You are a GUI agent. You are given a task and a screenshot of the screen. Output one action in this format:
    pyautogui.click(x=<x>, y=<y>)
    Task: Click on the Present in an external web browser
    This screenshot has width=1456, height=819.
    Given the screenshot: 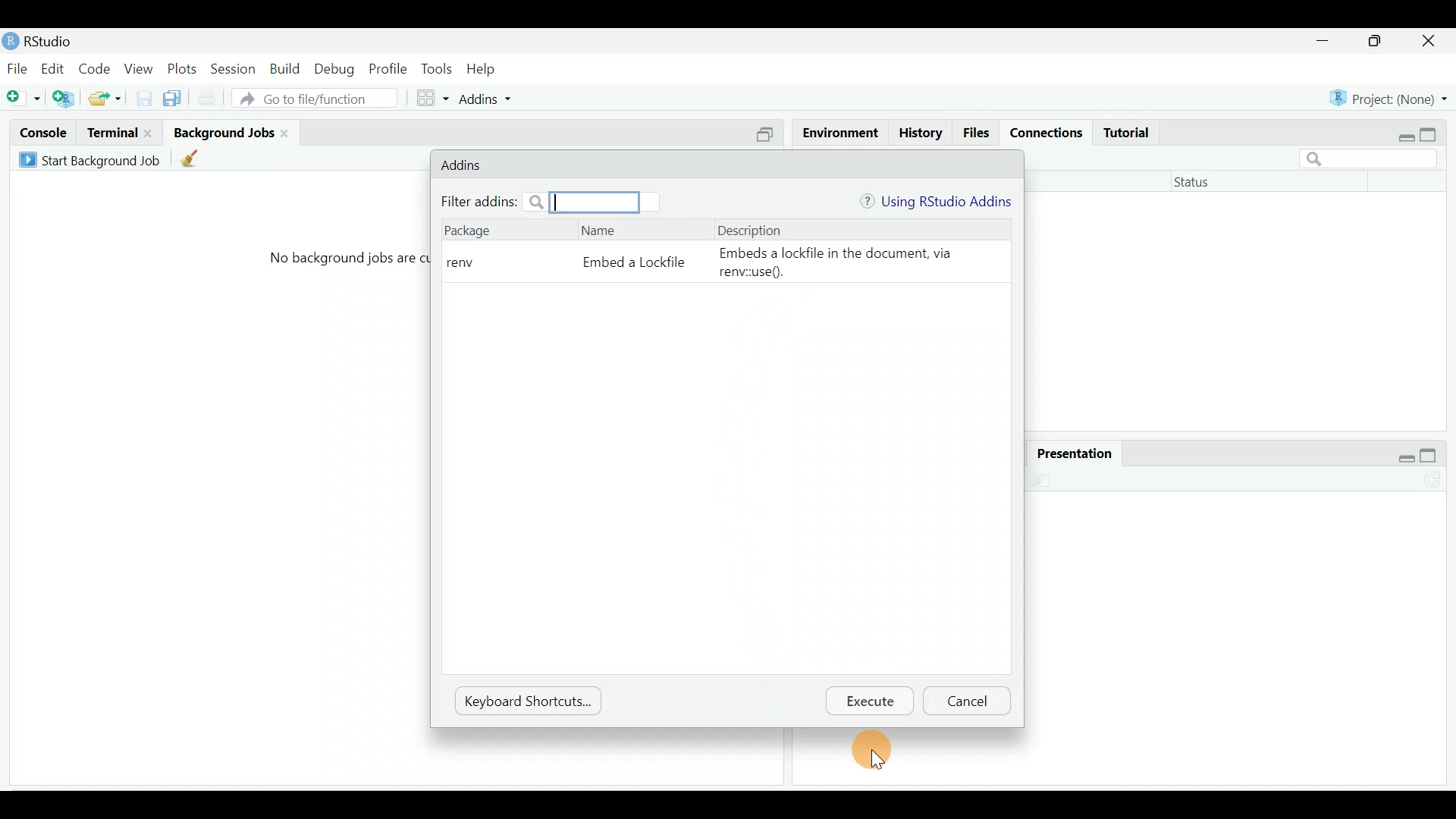 What is the action you would take?
    pyautogui.click(x=845, y=482)
    